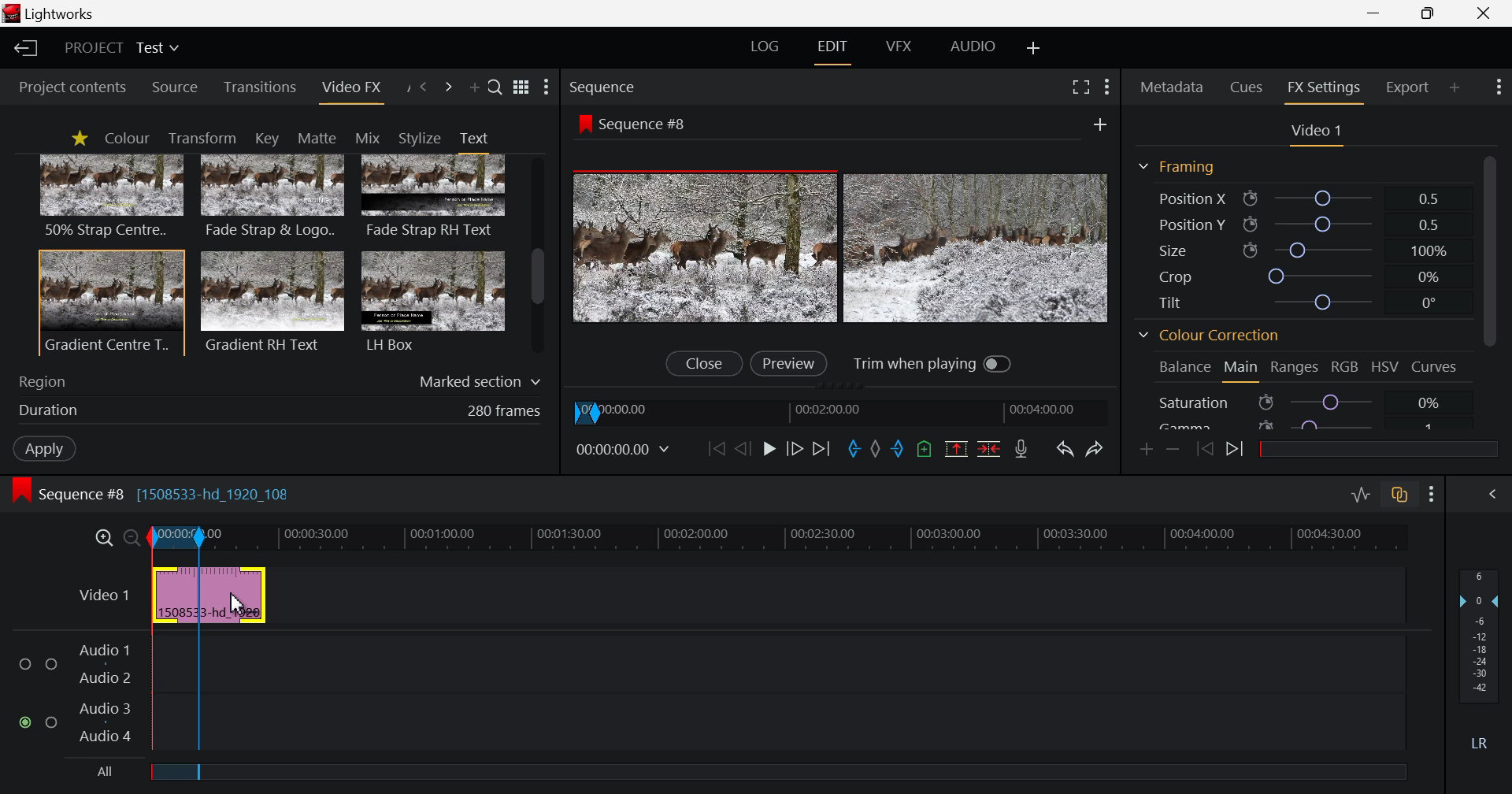  I want to click on Remove all marks, so click(874, 450).